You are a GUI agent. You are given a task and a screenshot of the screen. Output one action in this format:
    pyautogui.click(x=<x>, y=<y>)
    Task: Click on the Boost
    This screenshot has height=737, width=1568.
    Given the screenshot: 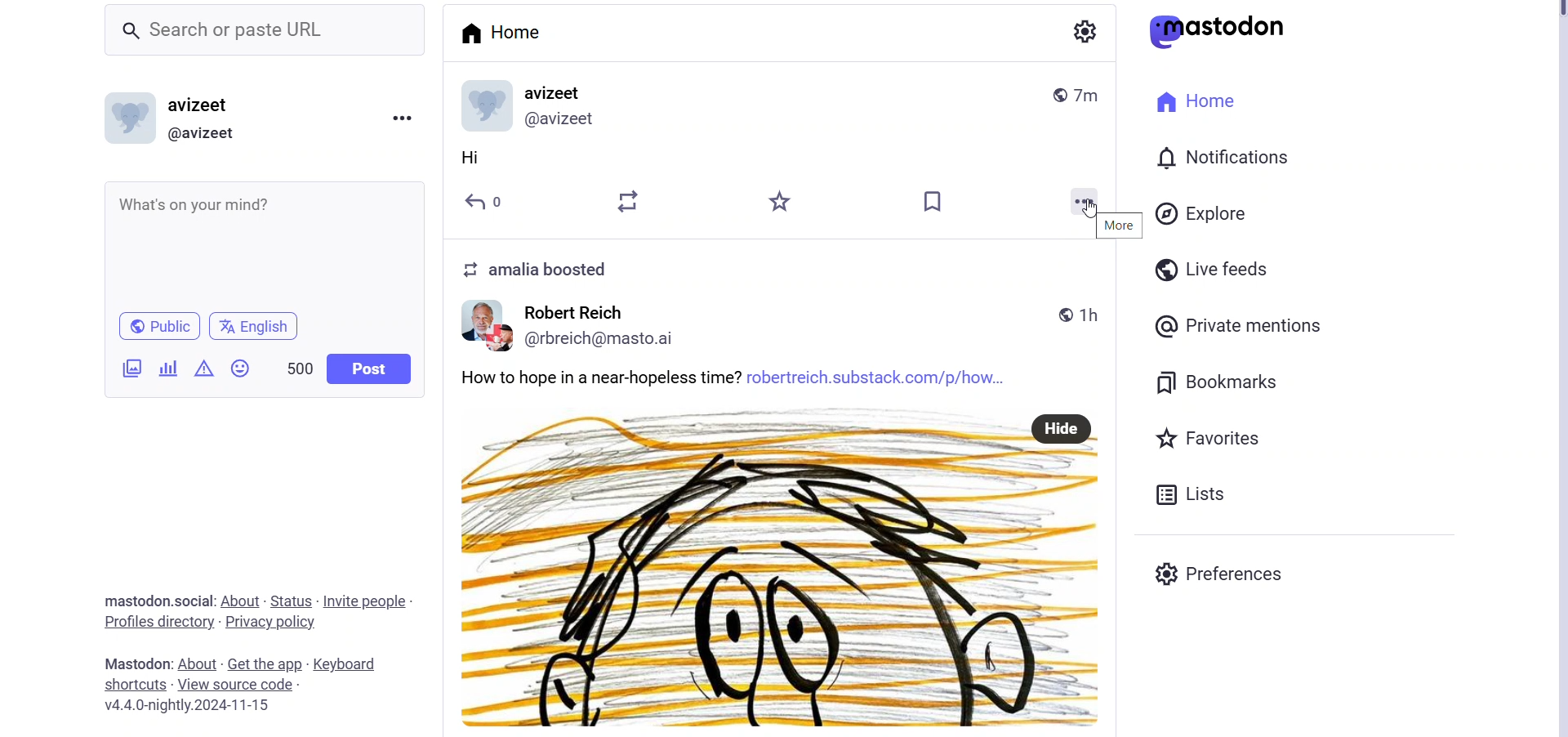 What is the action you would take?
    pyautogui.click(x=629, y=200)
    